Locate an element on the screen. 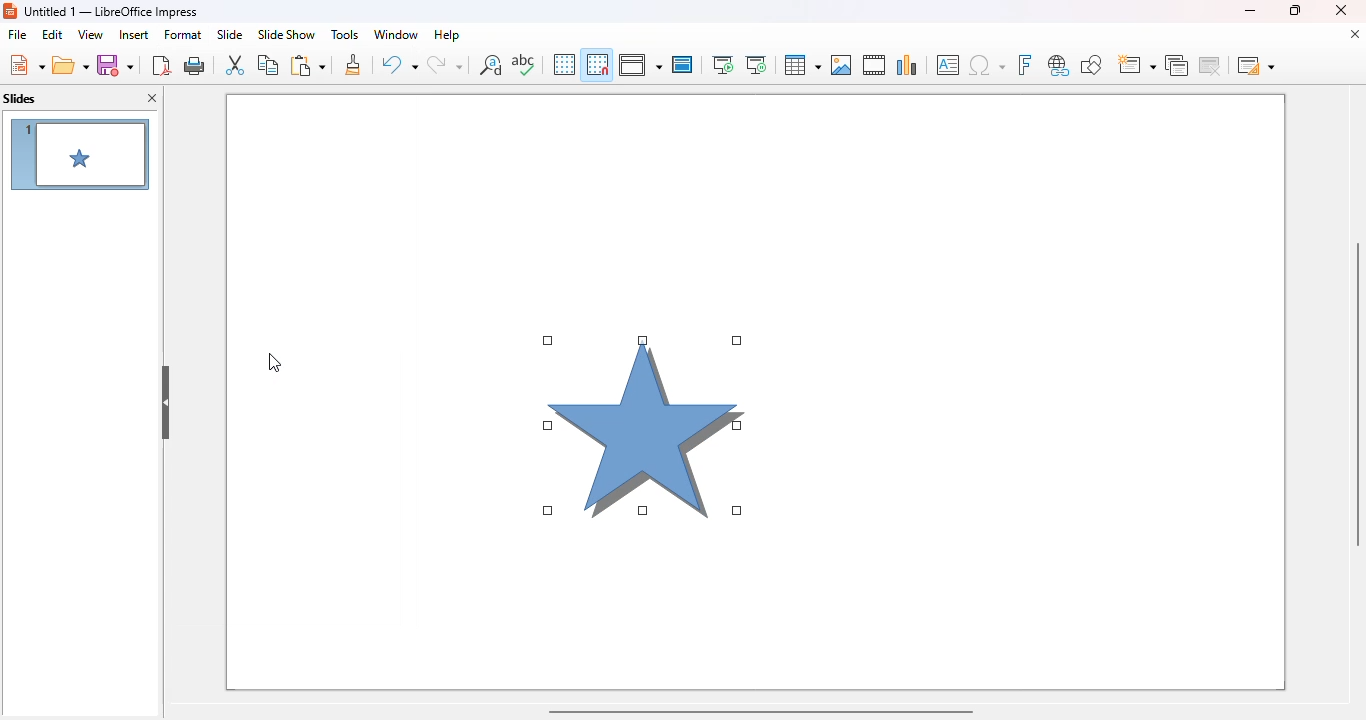 This screenshot has width=1366, height=720. insert audio or video is located at coordinates (874, 64).